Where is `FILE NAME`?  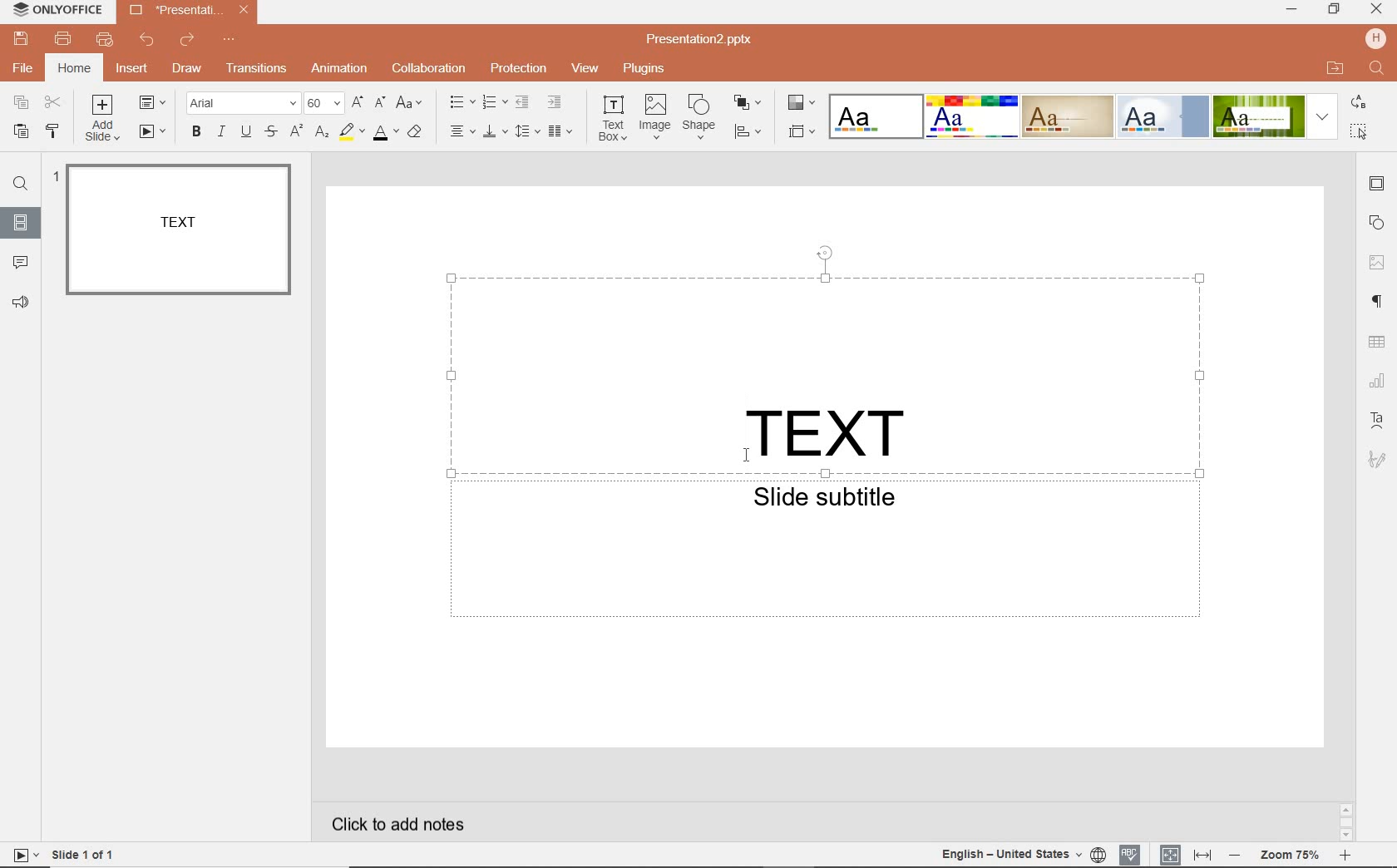 FILE NAME is located at coordinates (175, 9).